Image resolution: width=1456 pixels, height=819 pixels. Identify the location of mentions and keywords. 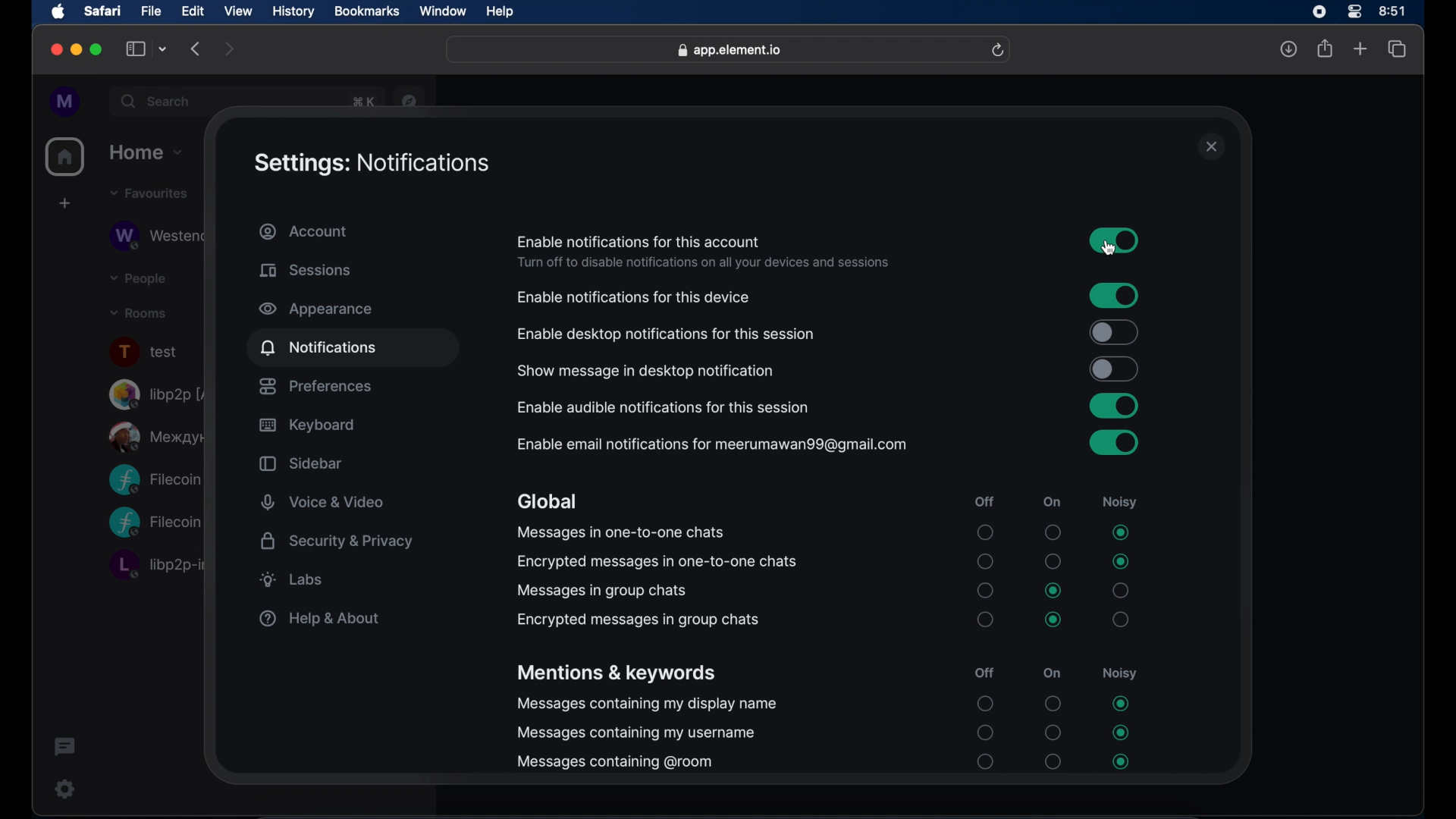
(615, 673).